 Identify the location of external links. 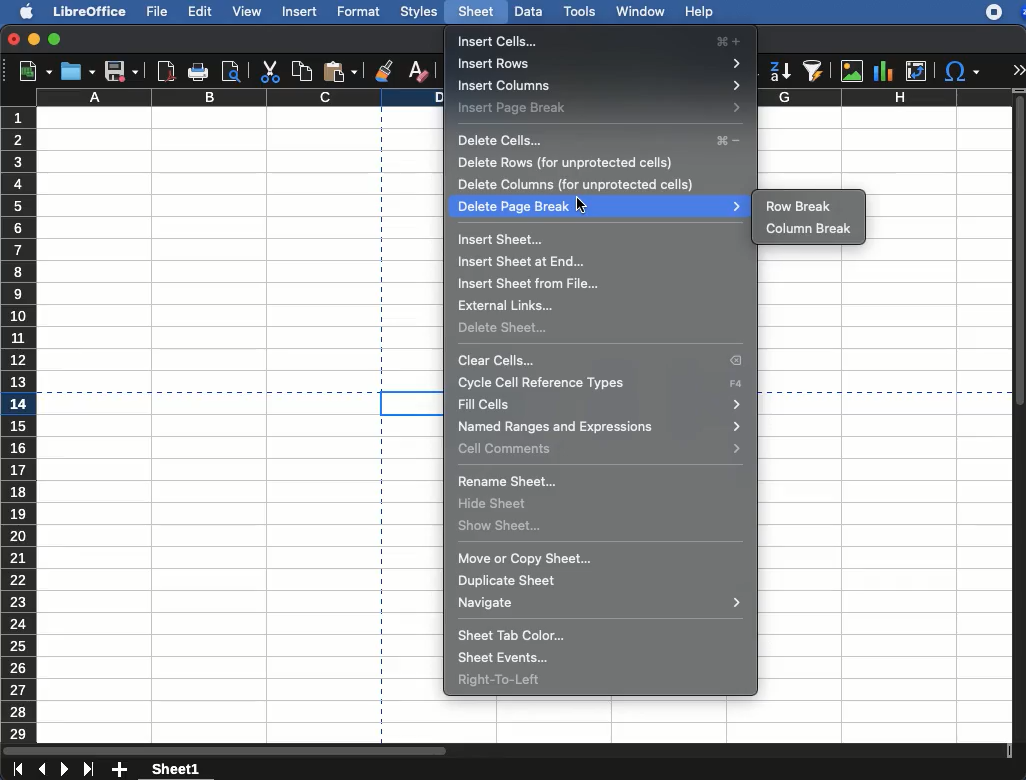
(512, 305).